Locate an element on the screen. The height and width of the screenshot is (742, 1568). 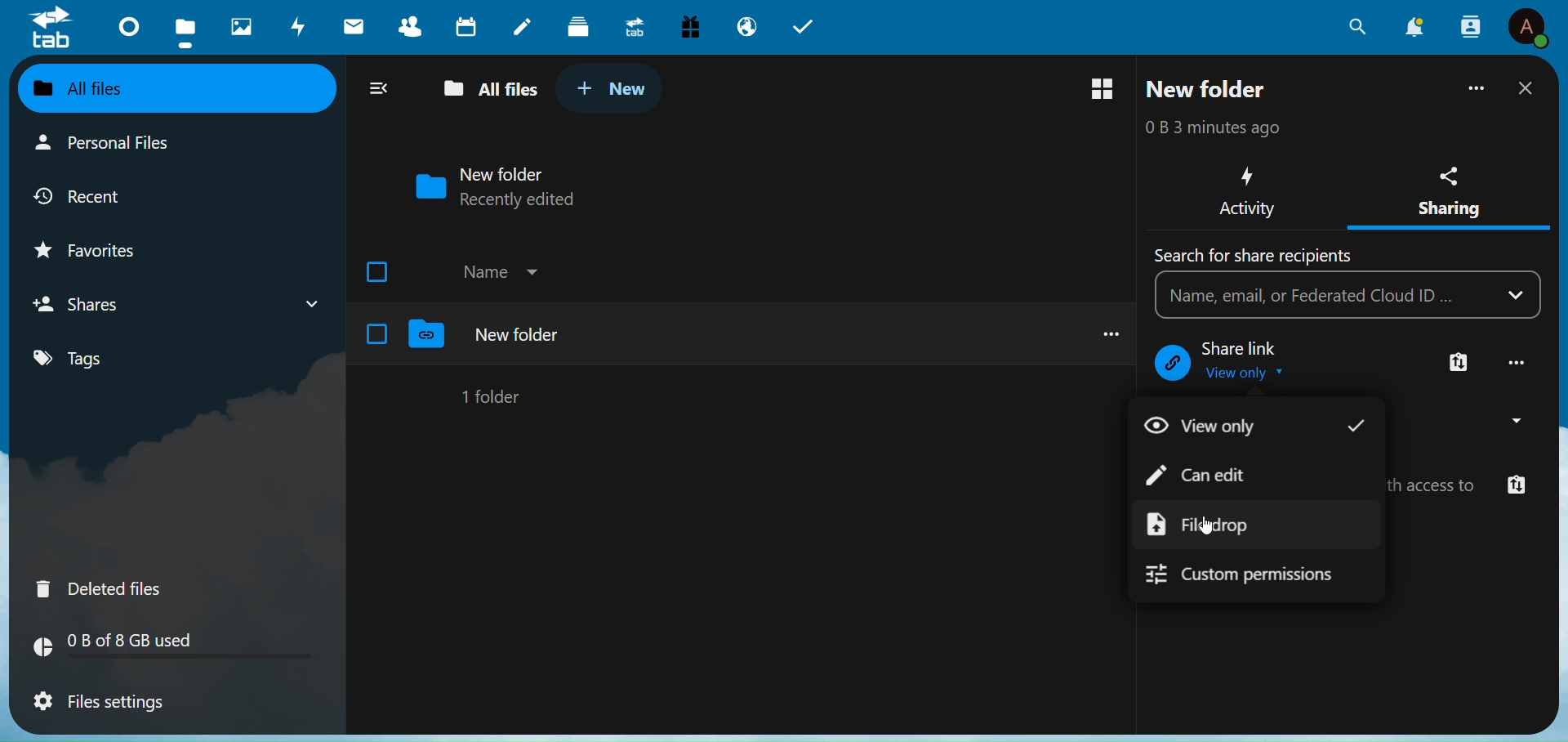
Icon is located at coordinates (1172, 364).